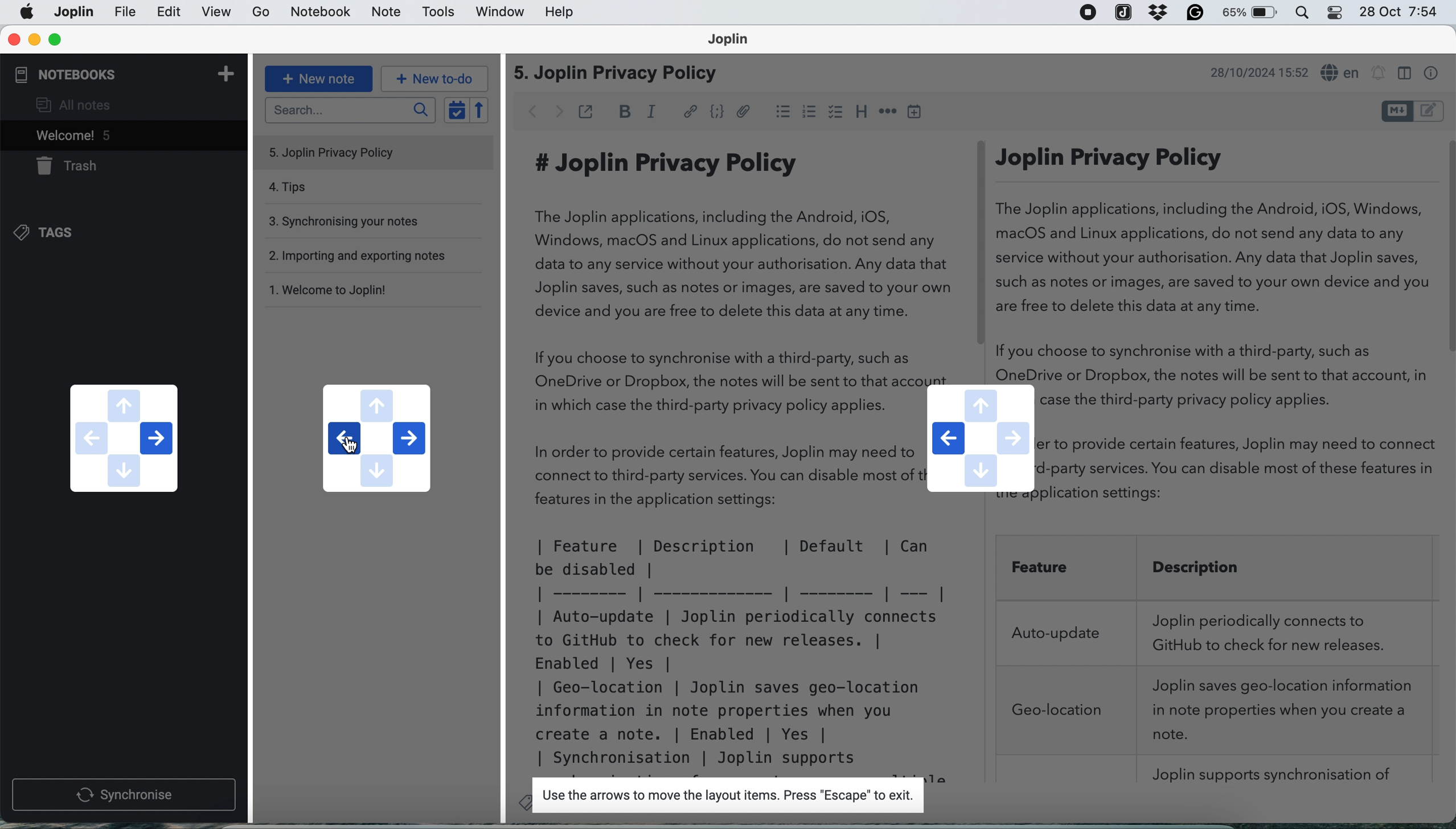  Describe the element at coordinates (1307, 13) in the screenshot. I see `control center` at that location.